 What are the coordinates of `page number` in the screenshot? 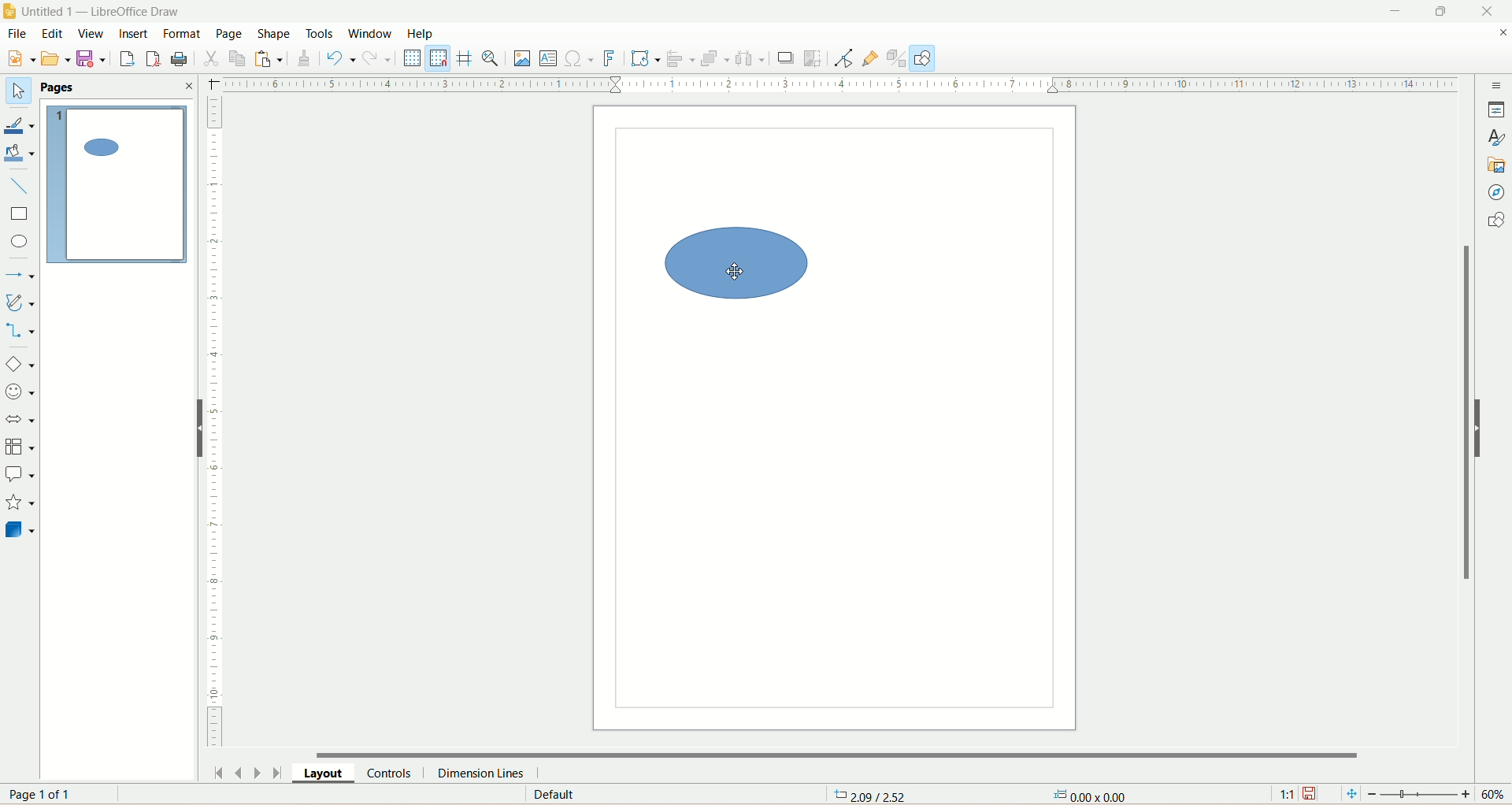 It's located at (46, 793).